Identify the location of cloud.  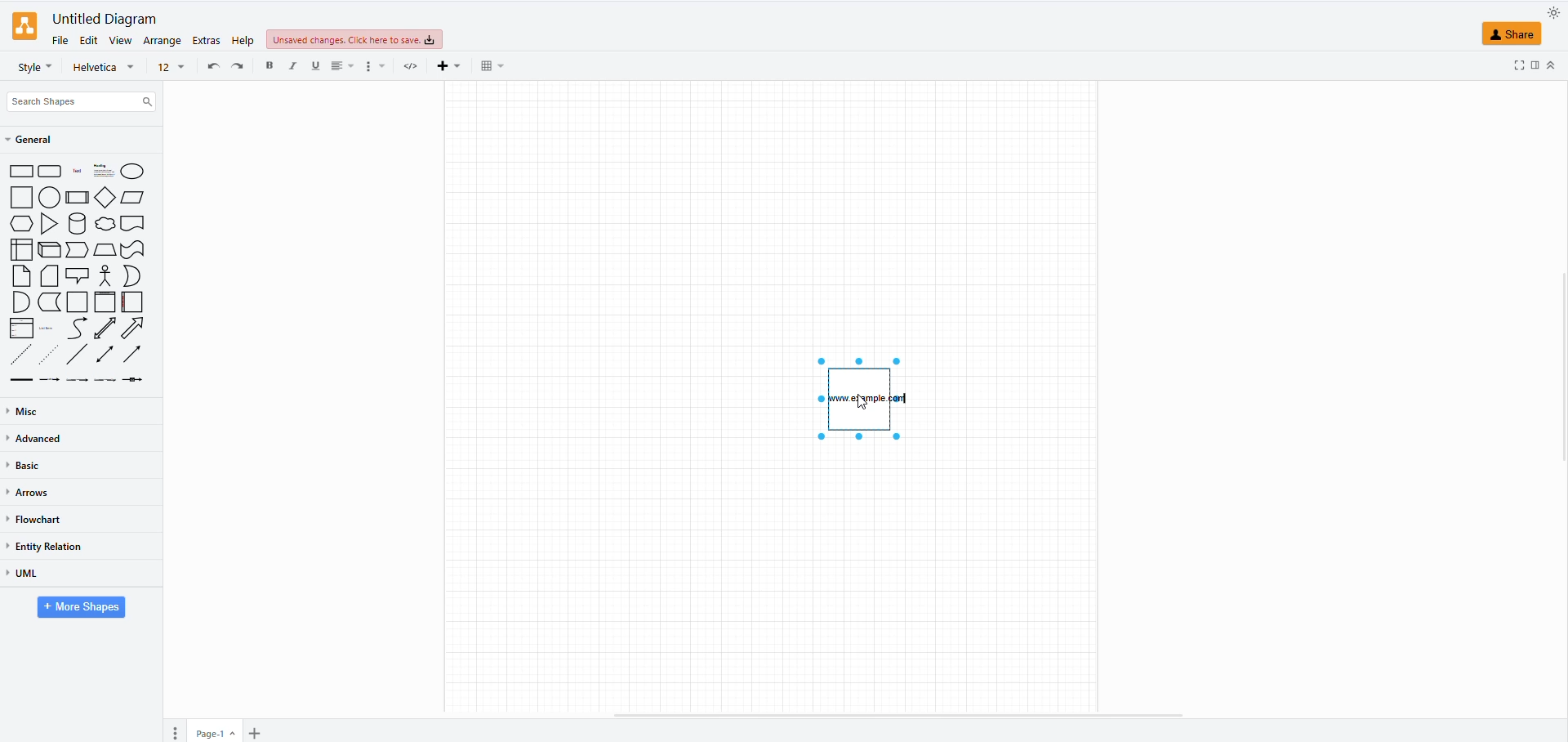
(105, 224).